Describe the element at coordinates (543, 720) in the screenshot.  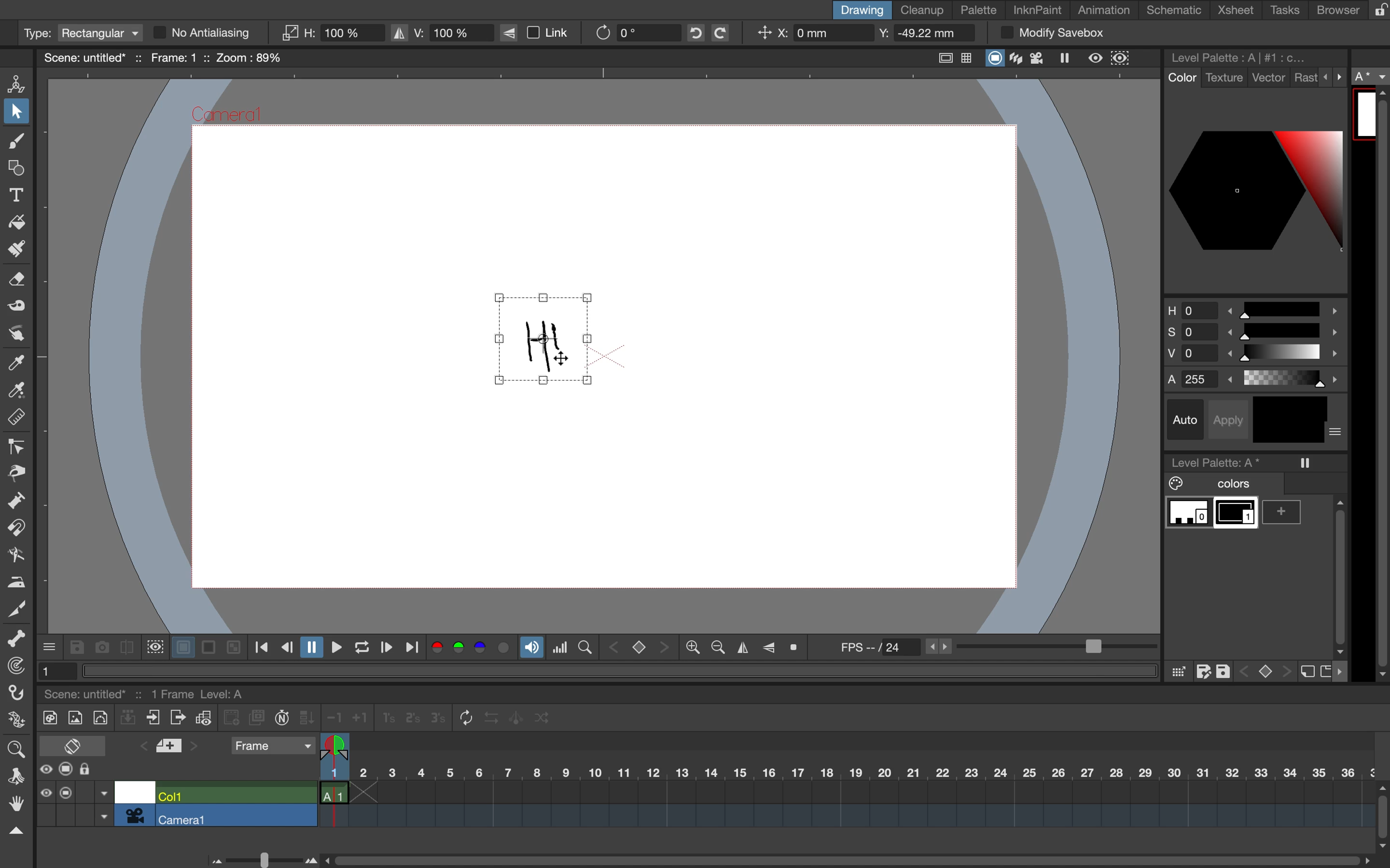
I see `random` at that location.